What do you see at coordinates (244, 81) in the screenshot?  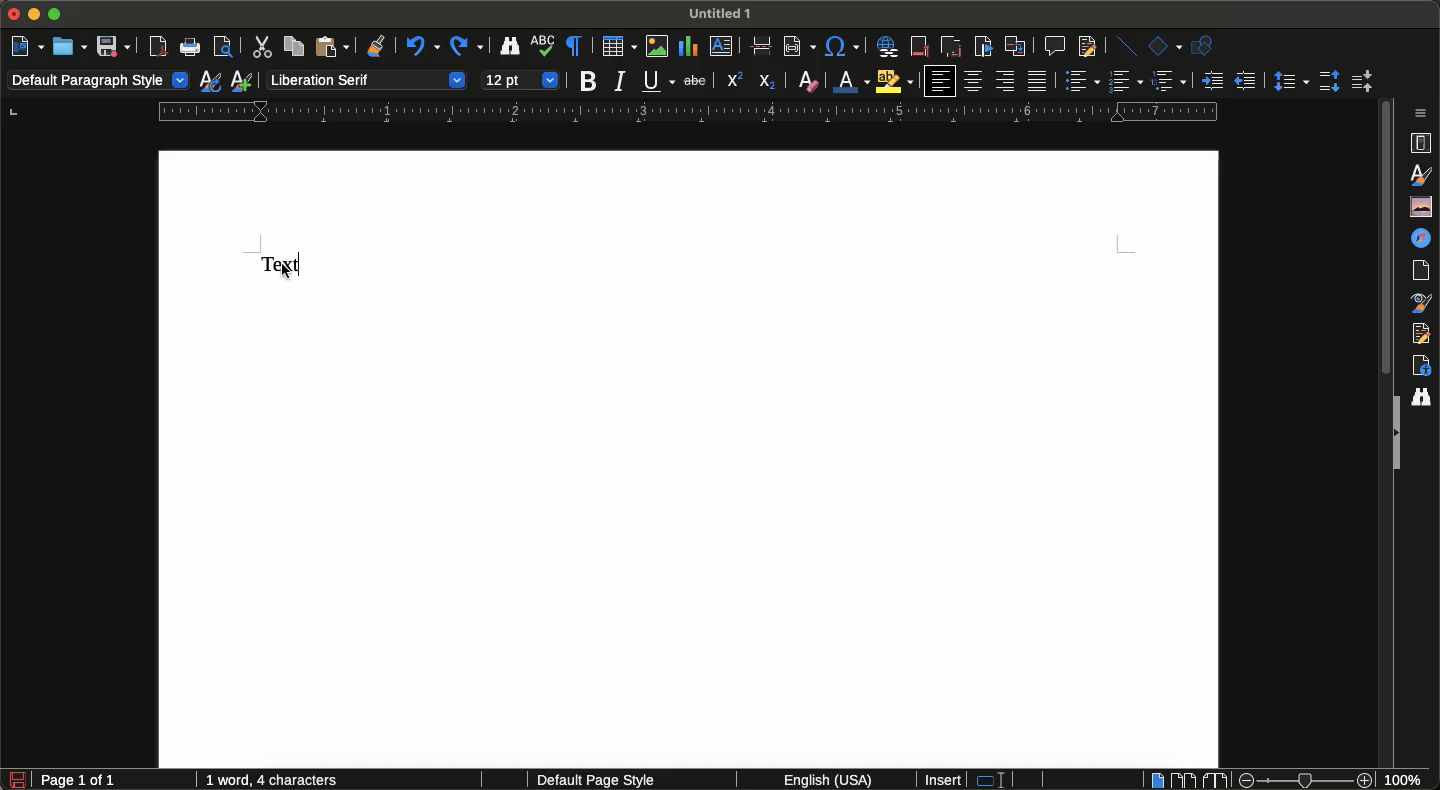 I see `New style from selection` at bounding box center [244, 81].